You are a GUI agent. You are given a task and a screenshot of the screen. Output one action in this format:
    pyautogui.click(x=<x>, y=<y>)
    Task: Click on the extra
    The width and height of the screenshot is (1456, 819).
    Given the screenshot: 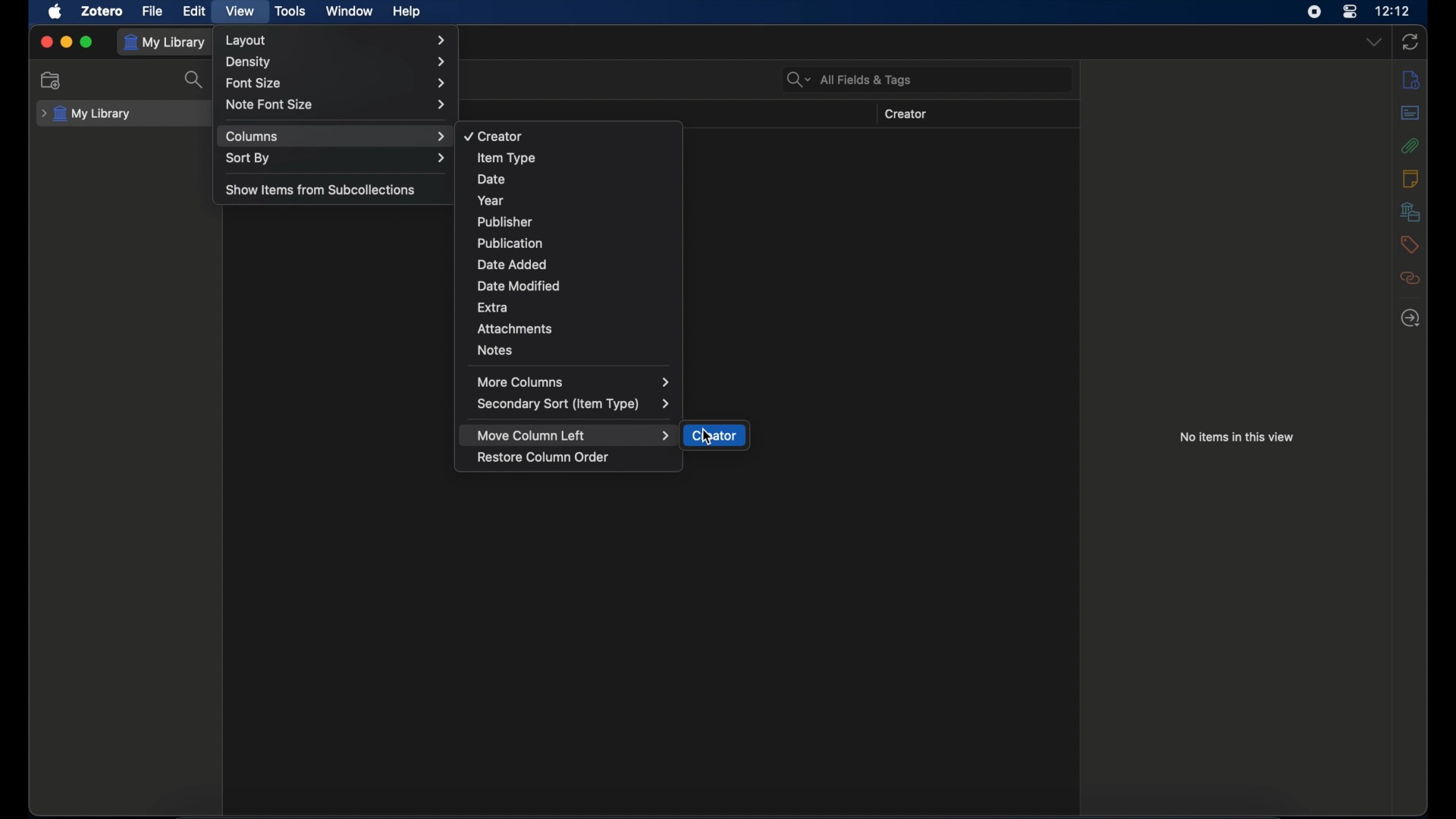 What is the action you would take?
    pyautogui.click(x=495, y=306)
    